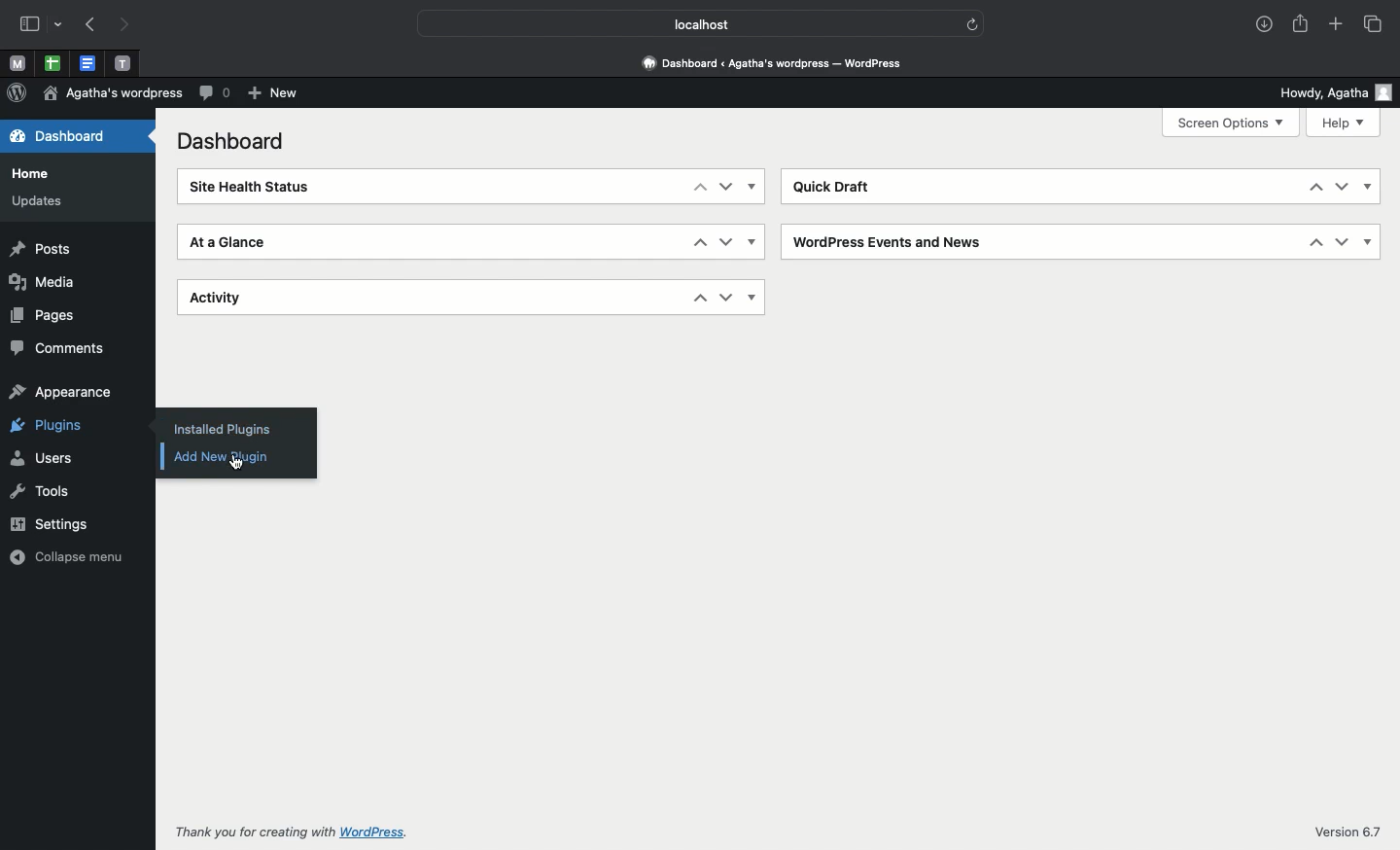 This screenshot has height=850, width=1400. Describe the element at coordinates (125, 63) in the screenshot. I see `Pinned tabs` at that location.